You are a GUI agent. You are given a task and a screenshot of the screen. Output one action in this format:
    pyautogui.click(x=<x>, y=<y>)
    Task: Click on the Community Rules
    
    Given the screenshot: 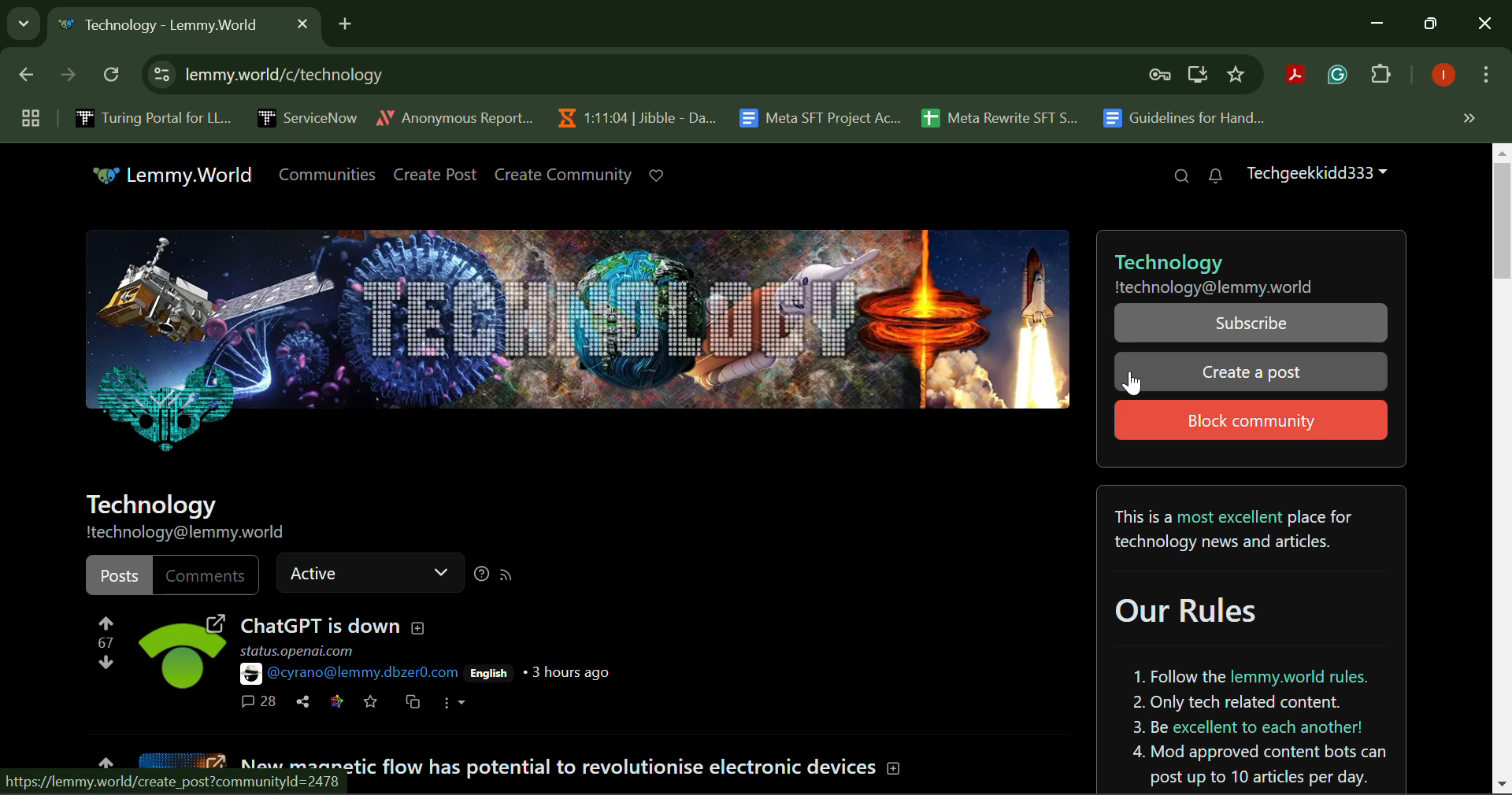 What is the action you would take?
    pyautogui.click(x=1258, y=638)
    